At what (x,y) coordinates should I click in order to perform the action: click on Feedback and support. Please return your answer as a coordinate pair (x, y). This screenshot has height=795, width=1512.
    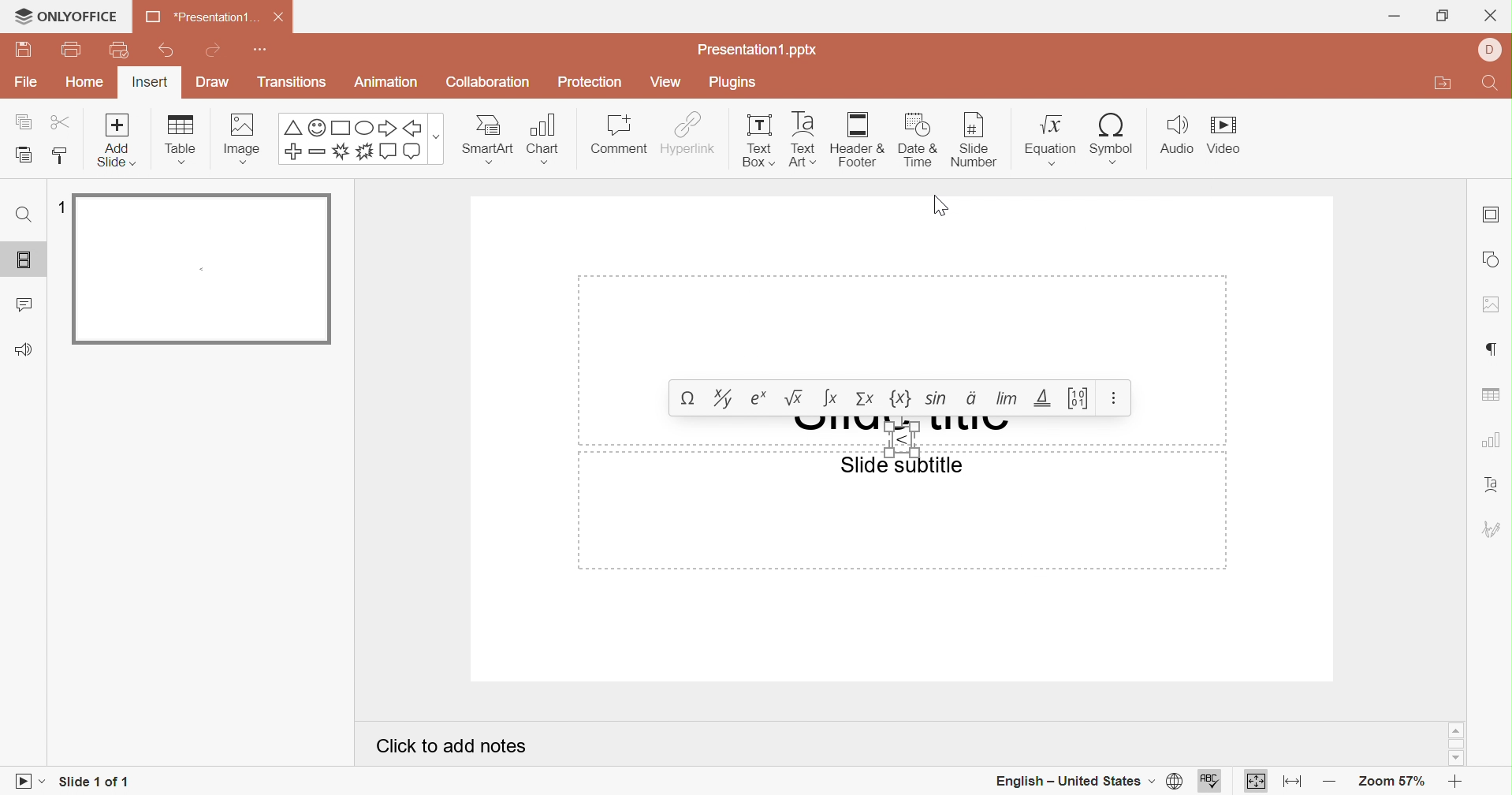
    Looking at the image, I should click on (27, 349).